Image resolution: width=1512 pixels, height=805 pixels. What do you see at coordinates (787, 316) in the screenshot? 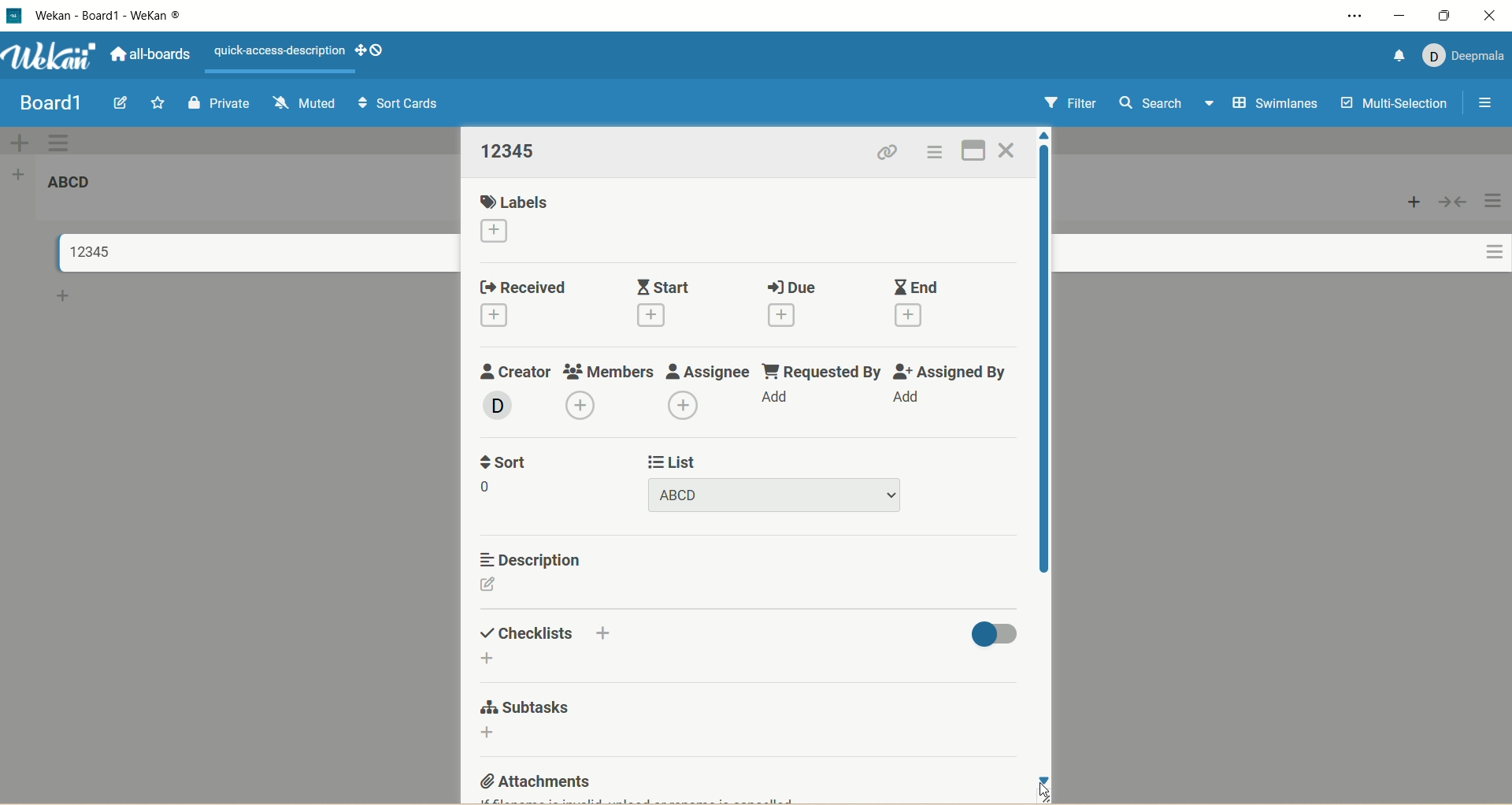
I see `add` at bounding box center [787, 316].